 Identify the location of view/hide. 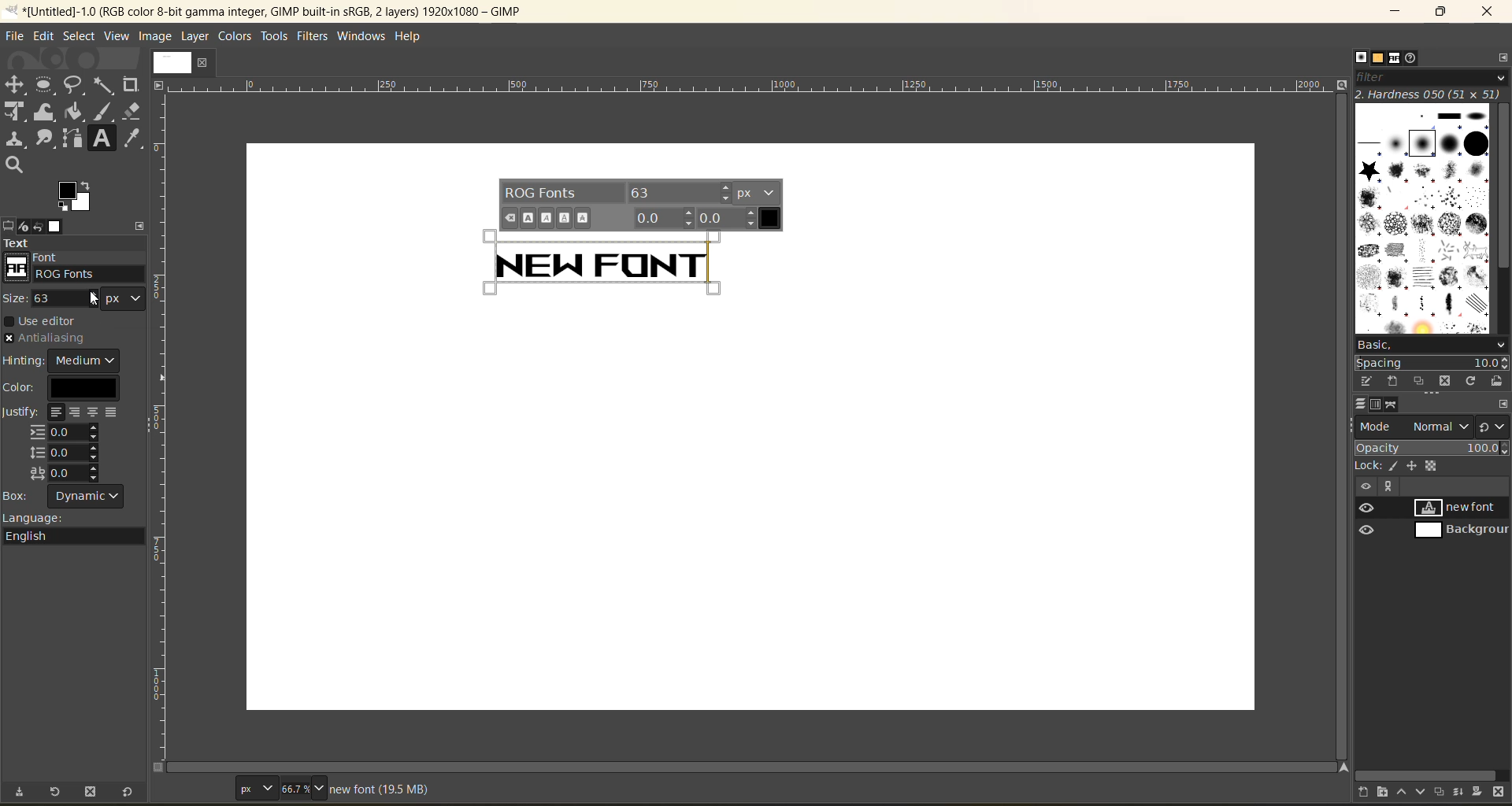
(1360, 519).